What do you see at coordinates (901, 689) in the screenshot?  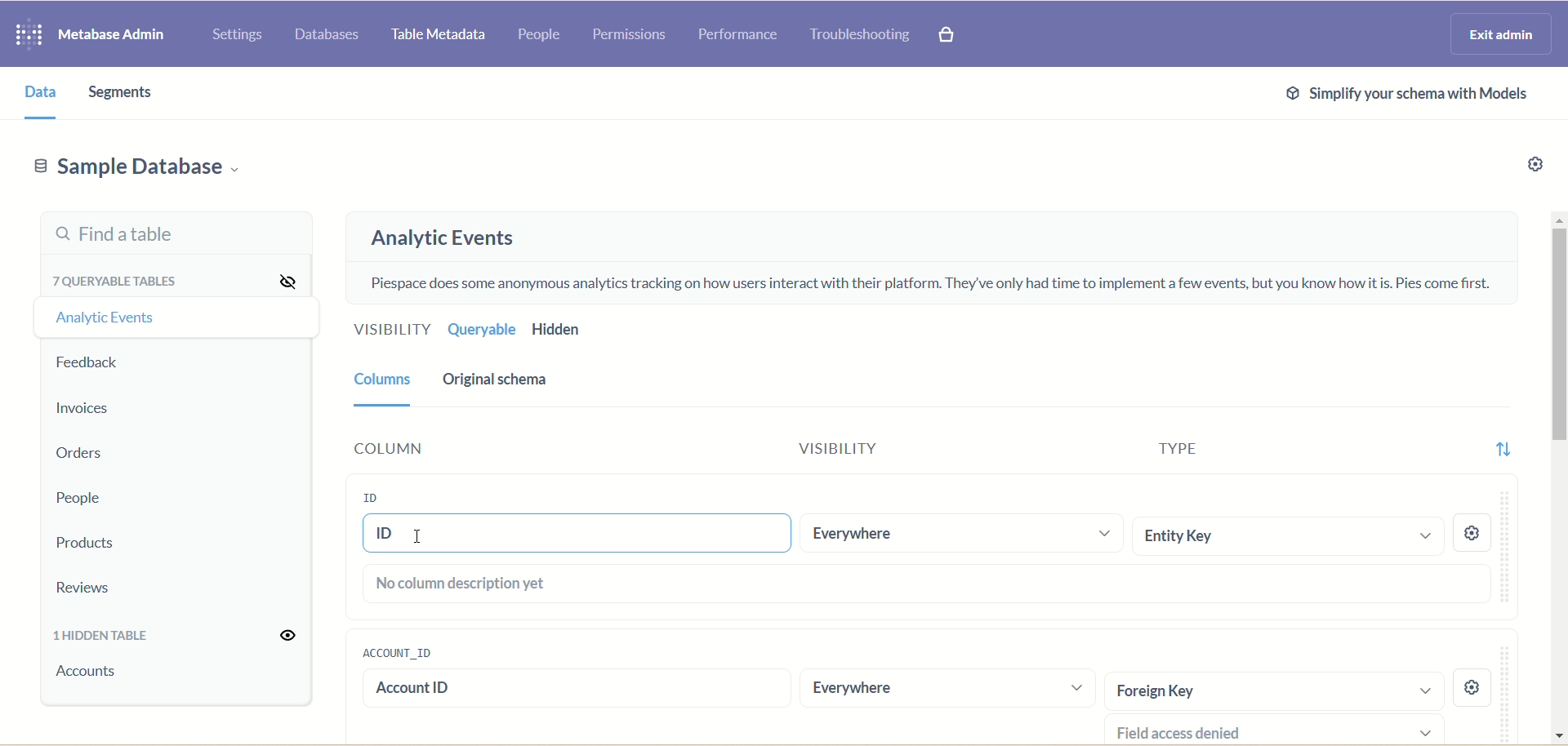 I see `Everywhere` at bounding box center [901, 689].